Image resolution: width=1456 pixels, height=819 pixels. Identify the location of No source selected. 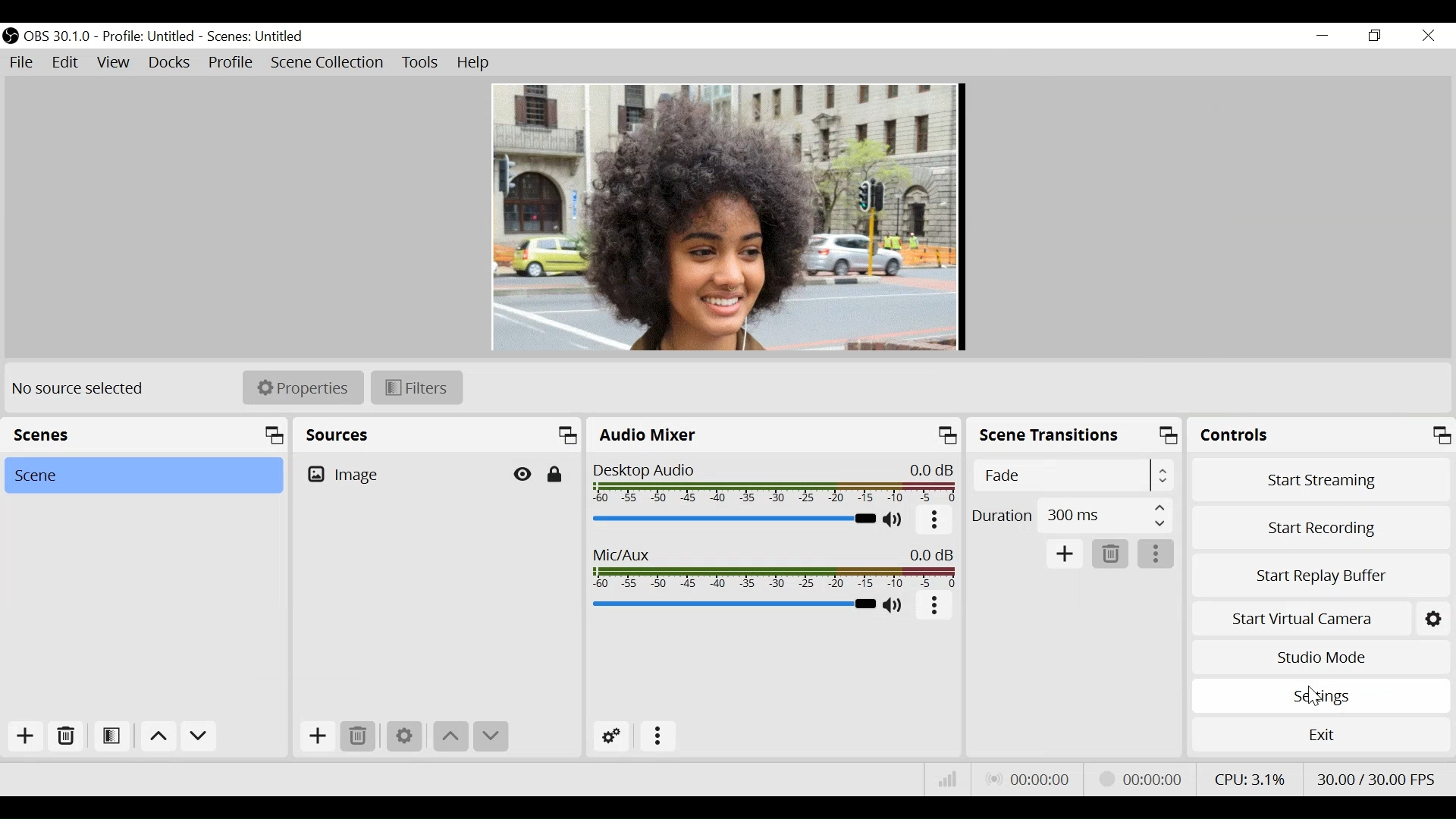
(78, 387).